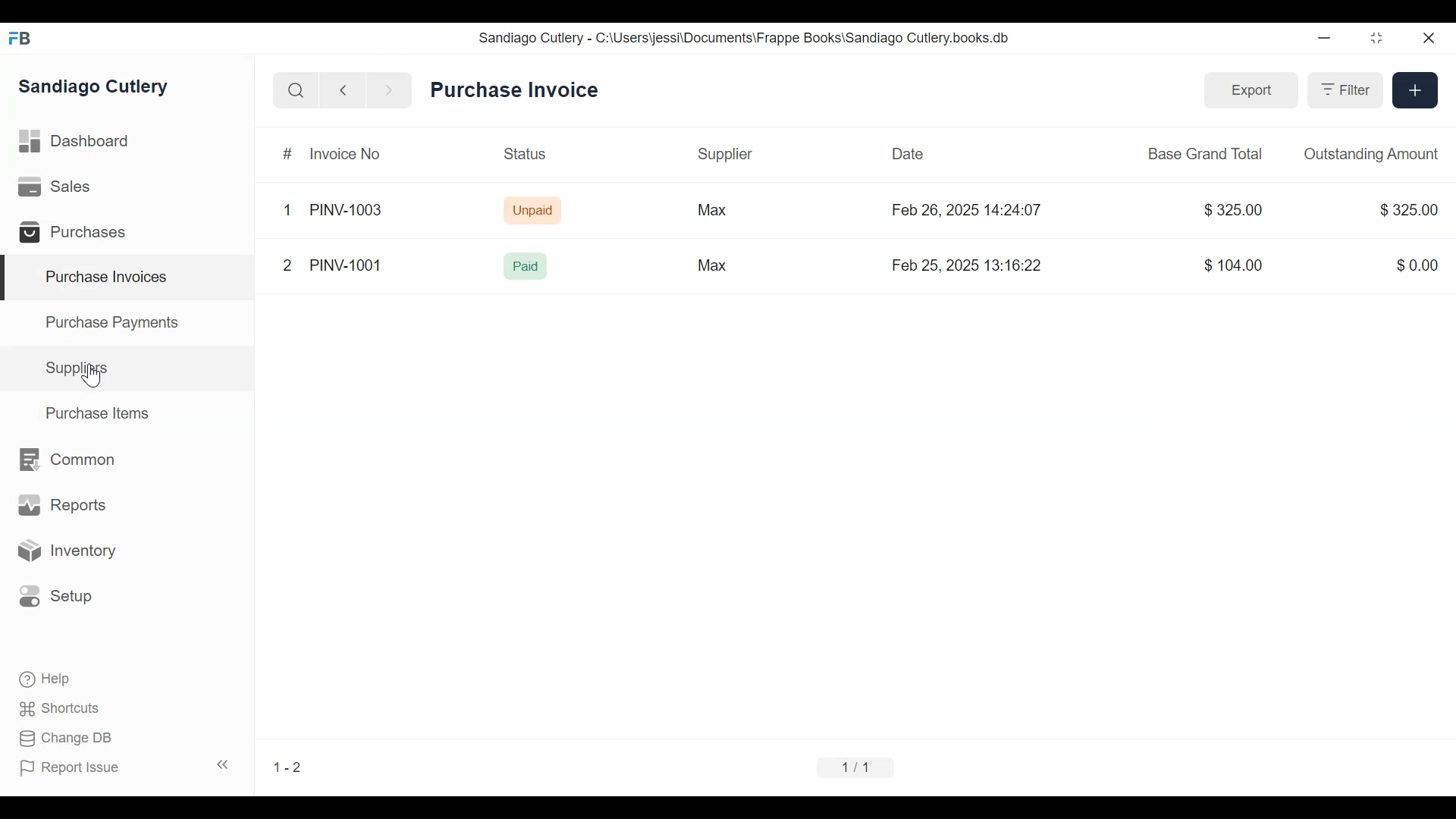 Image resolution: width=1456 pixels, height=819 pixels. I want to click on expand, so click(223, 767).